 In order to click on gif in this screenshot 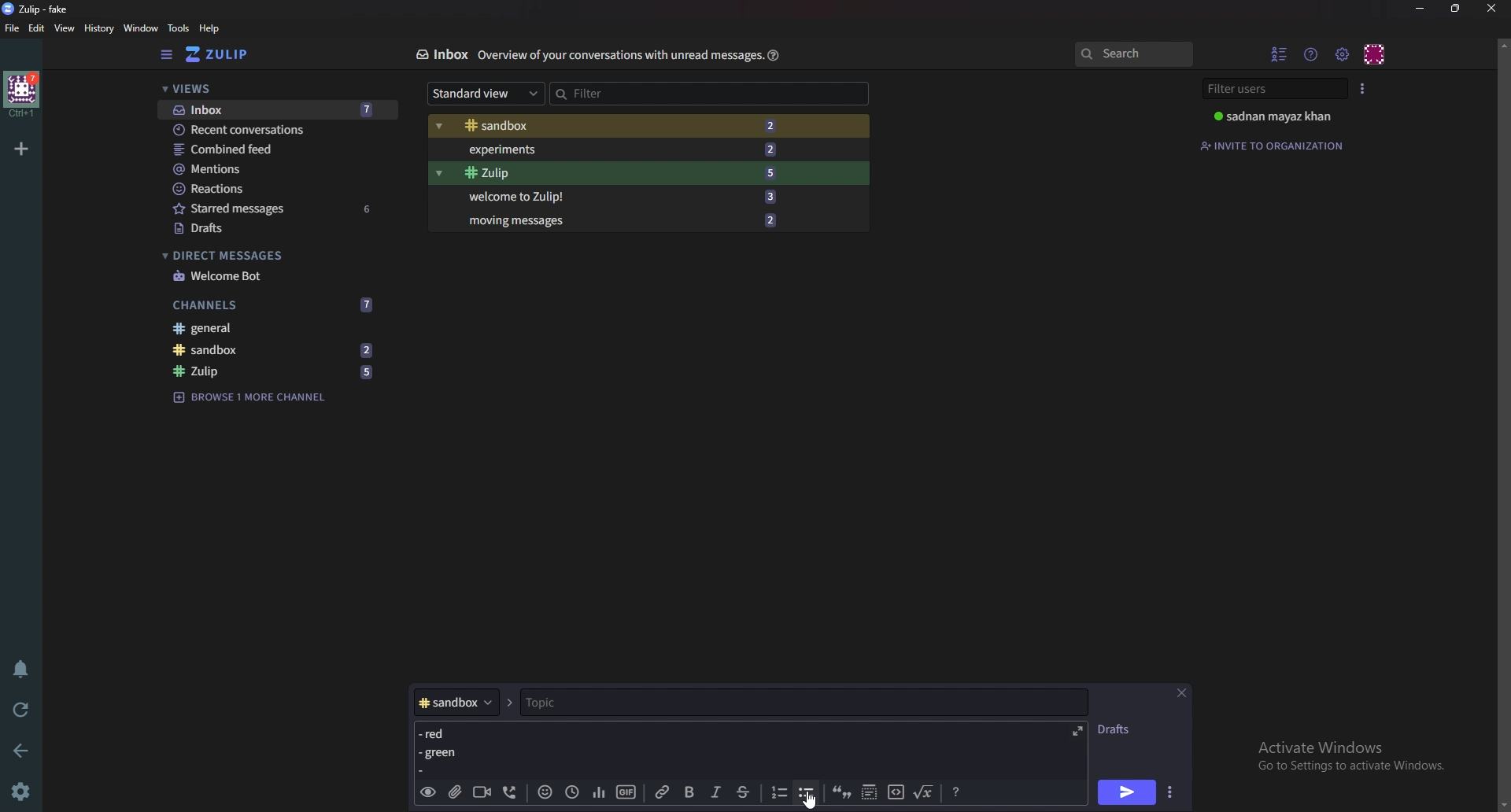, I will do `click(626, 792)`.